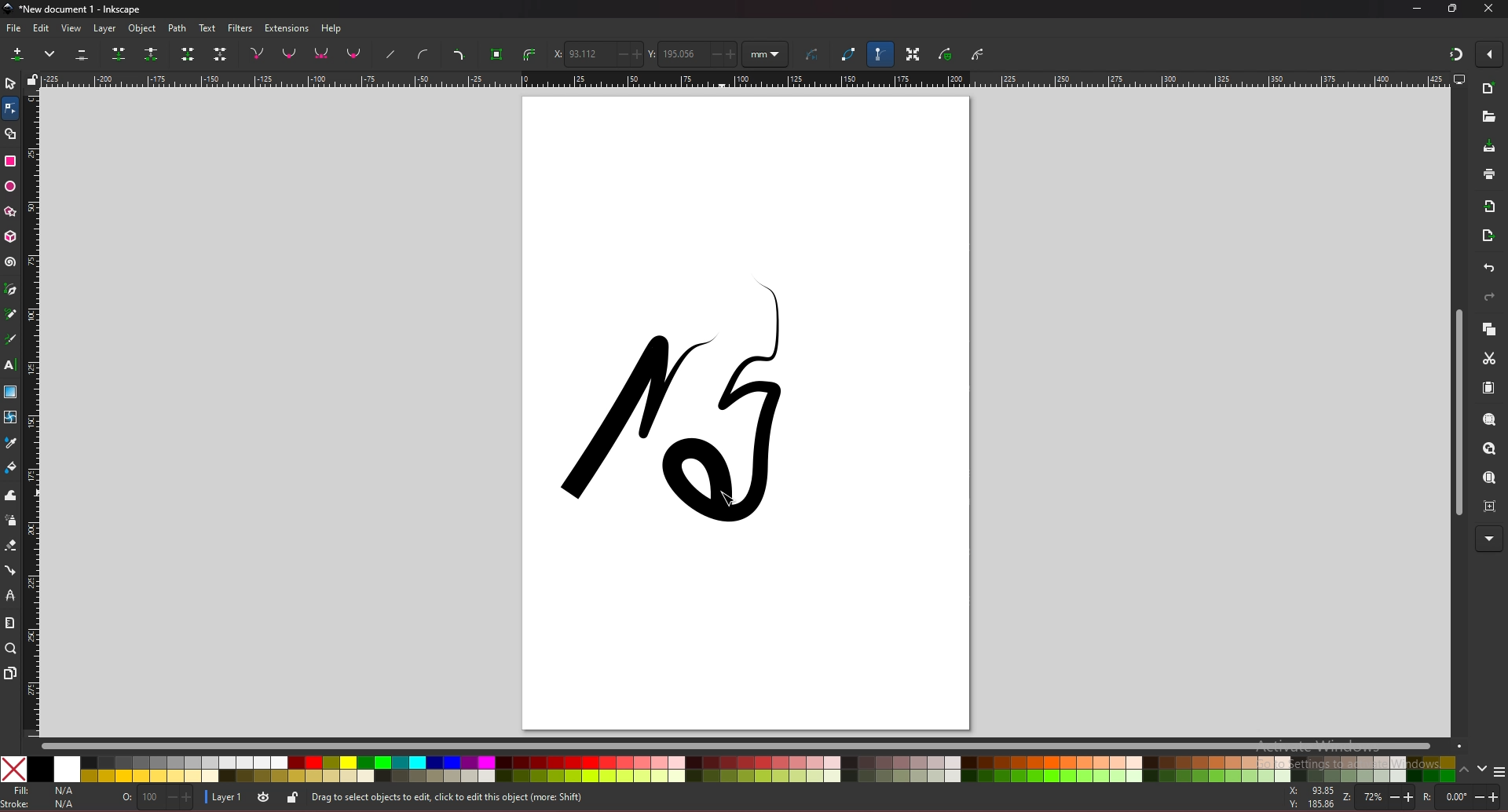 The height and width of the screenshot is (812, 1508). What do you see at coordinates (207, 27) in the screenshot?
I see `text` at bounding box center [207, 27].